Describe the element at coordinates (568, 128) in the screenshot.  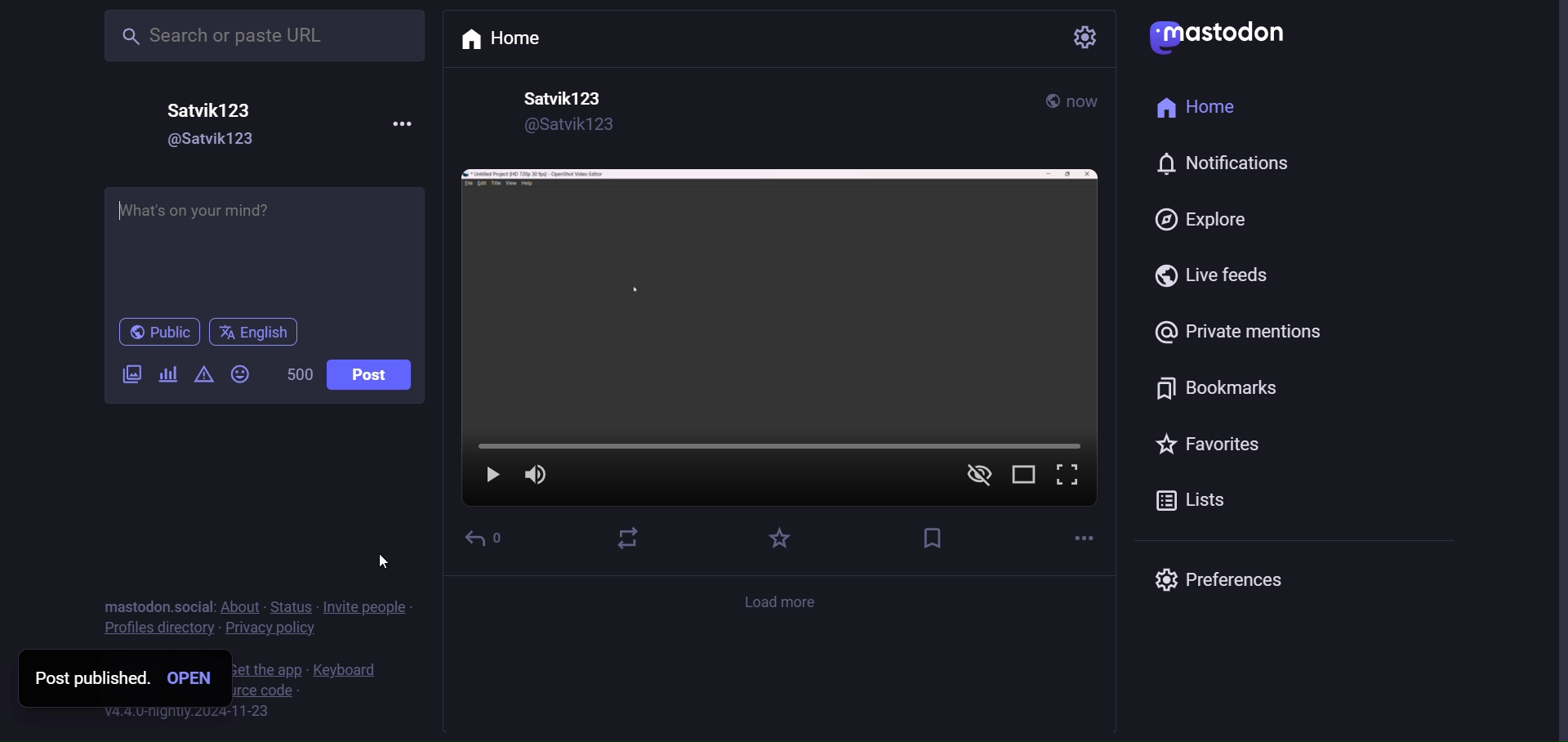
I see `id` at that location.